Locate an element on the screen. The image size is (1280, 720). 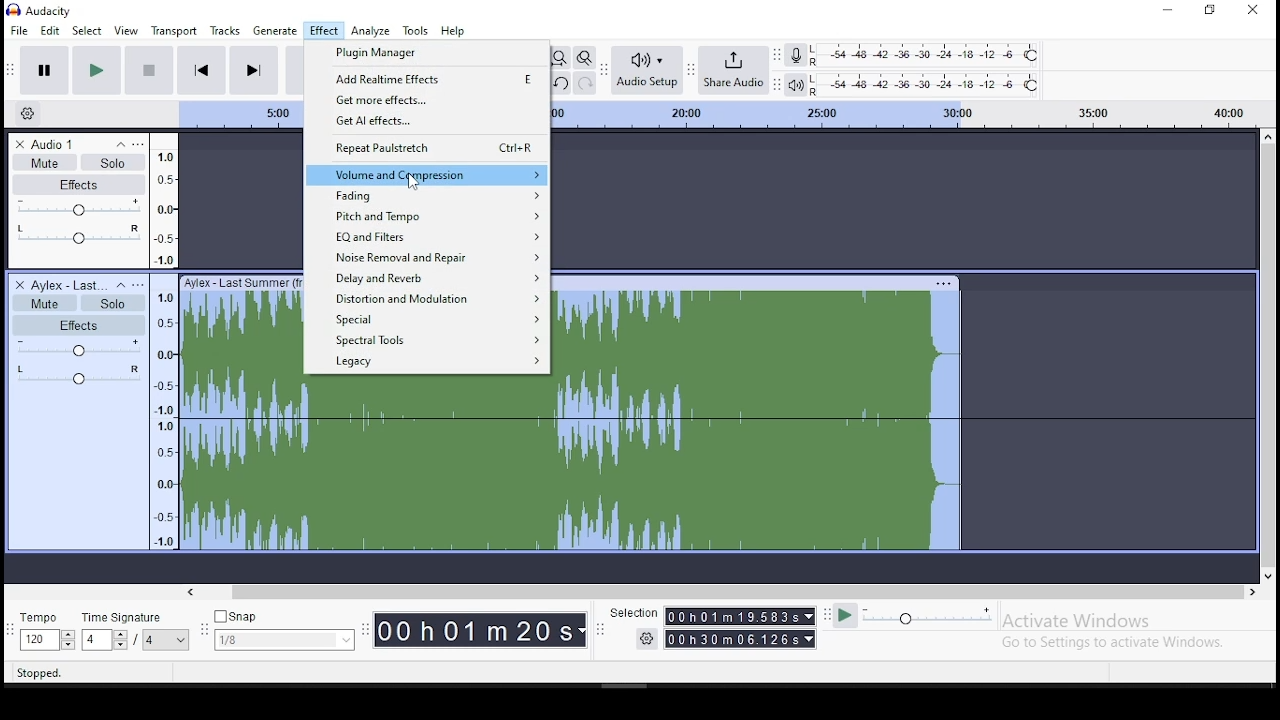
play is located at coordinates (96, 70).